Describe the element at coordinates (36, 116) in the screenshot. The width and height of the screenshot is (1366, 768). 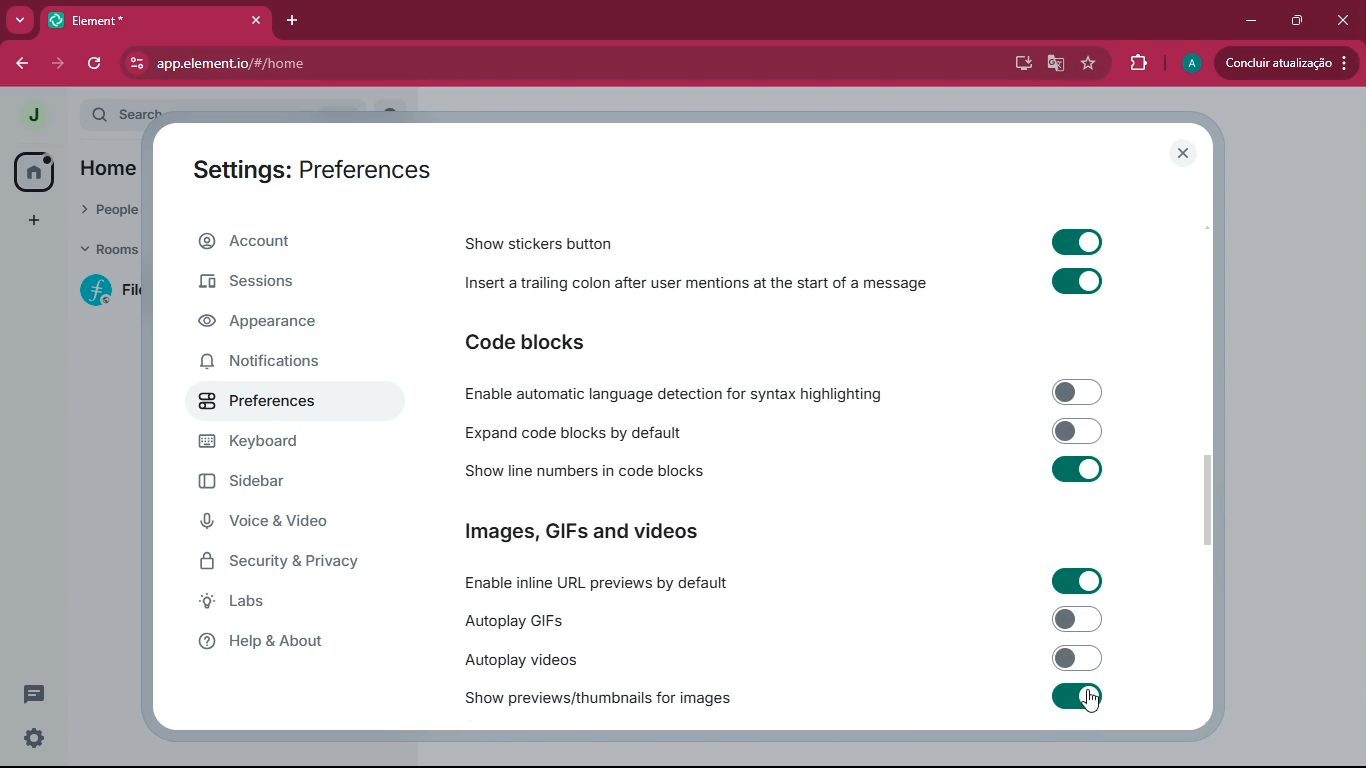
I see `profile picture` at that location.